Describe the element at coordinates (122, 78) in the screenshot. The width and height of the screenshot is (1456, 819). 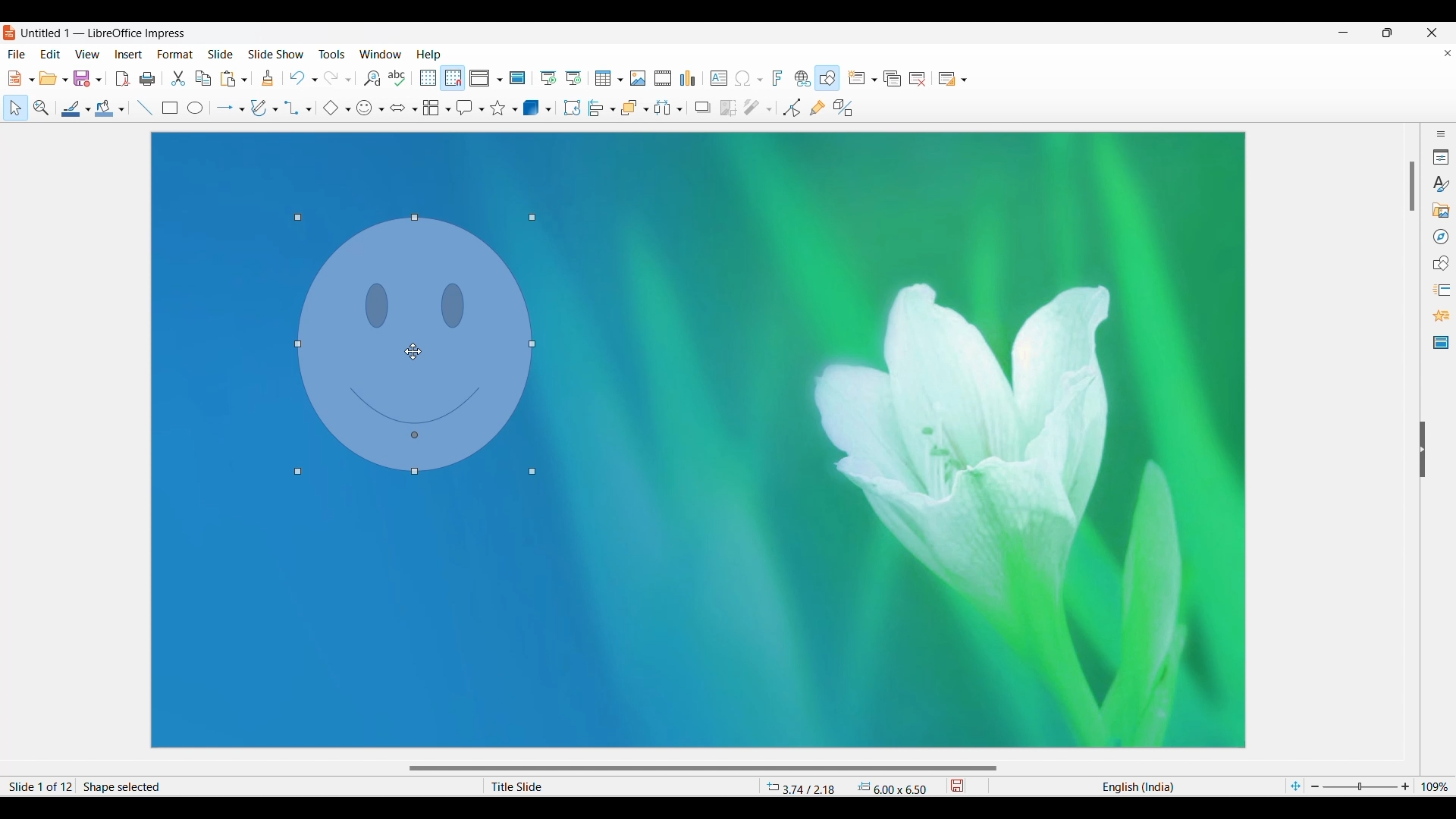
I see `Export directly as PDF` at that location.